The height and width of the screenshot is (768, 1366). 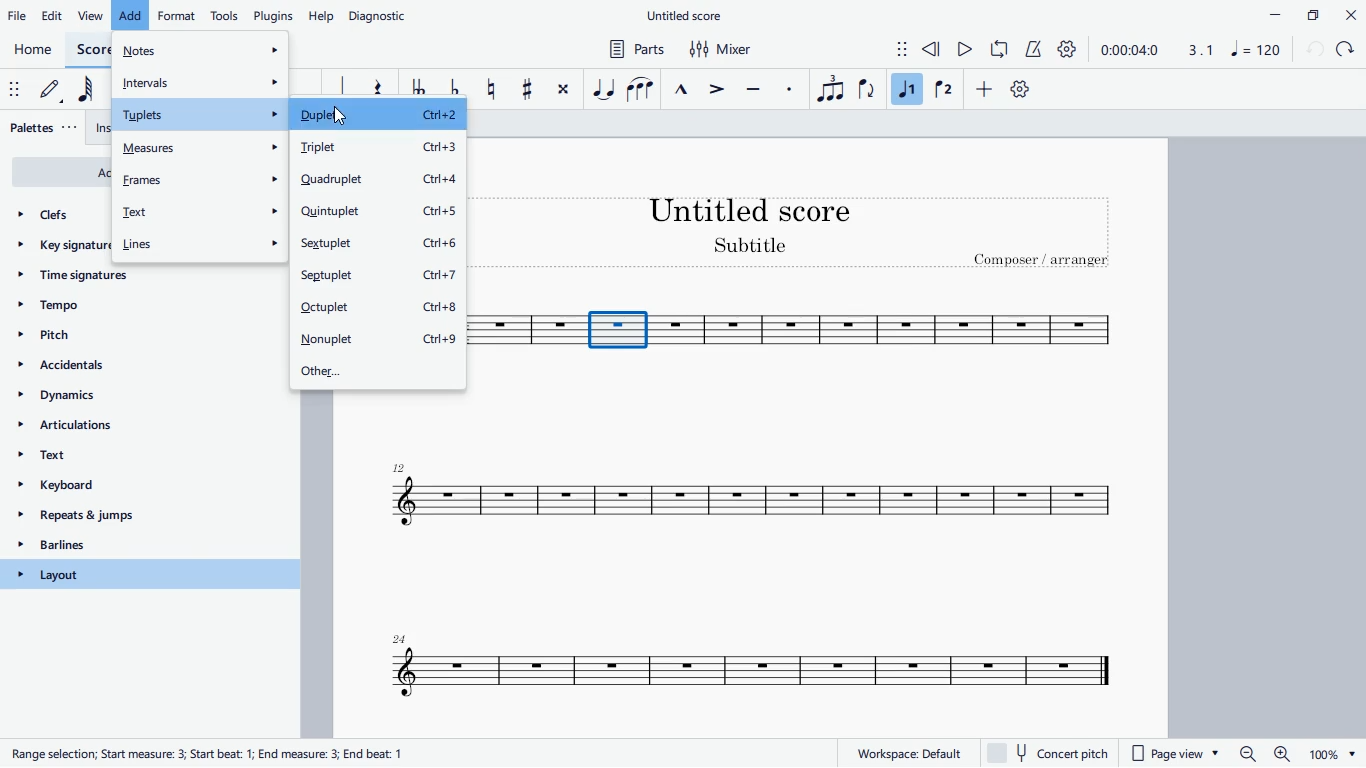 I want to click on composer / arranger, so click(x=1045, y=262).